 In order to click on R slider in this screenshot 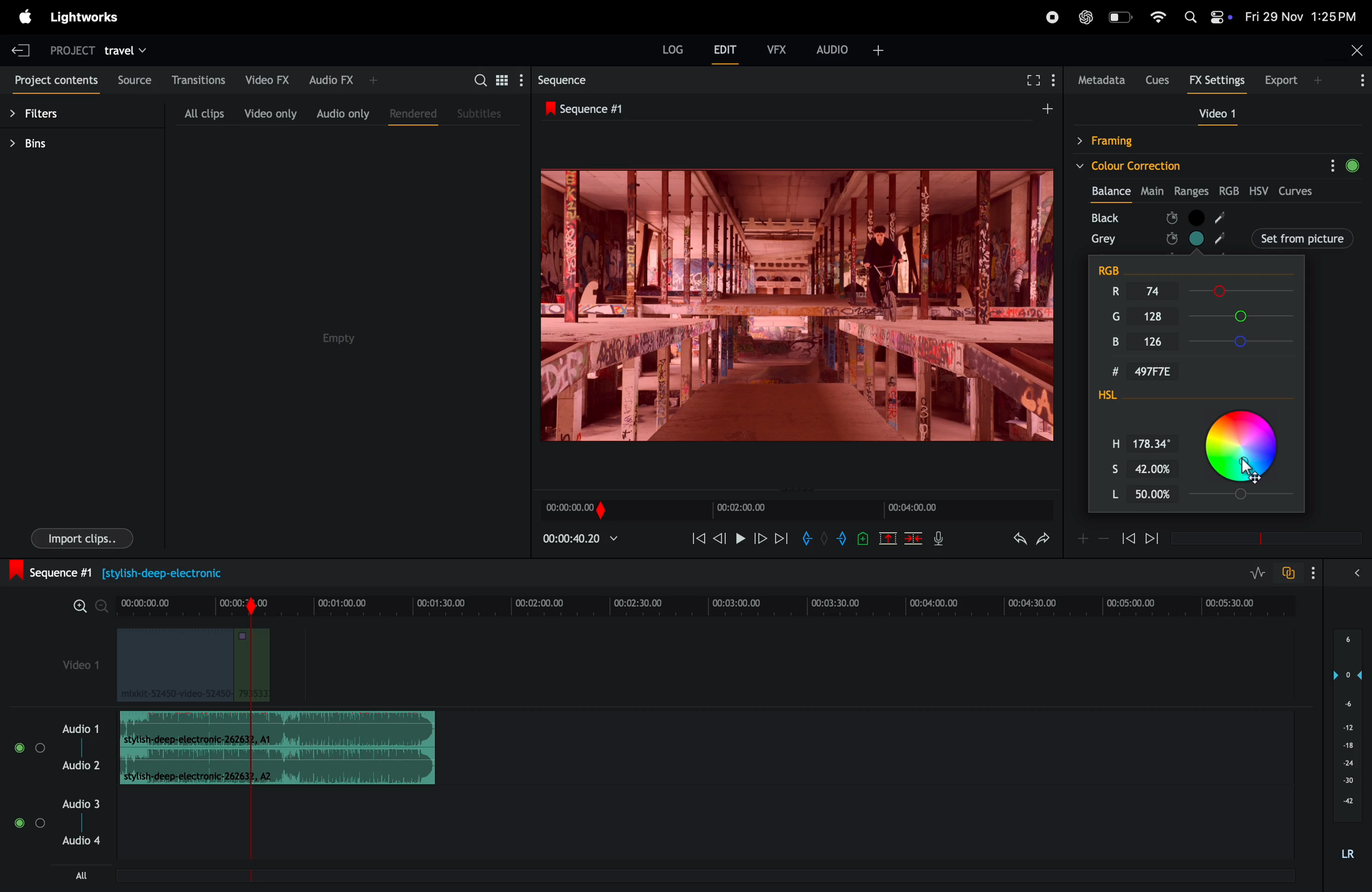, I will do `click(1243, 292)`.